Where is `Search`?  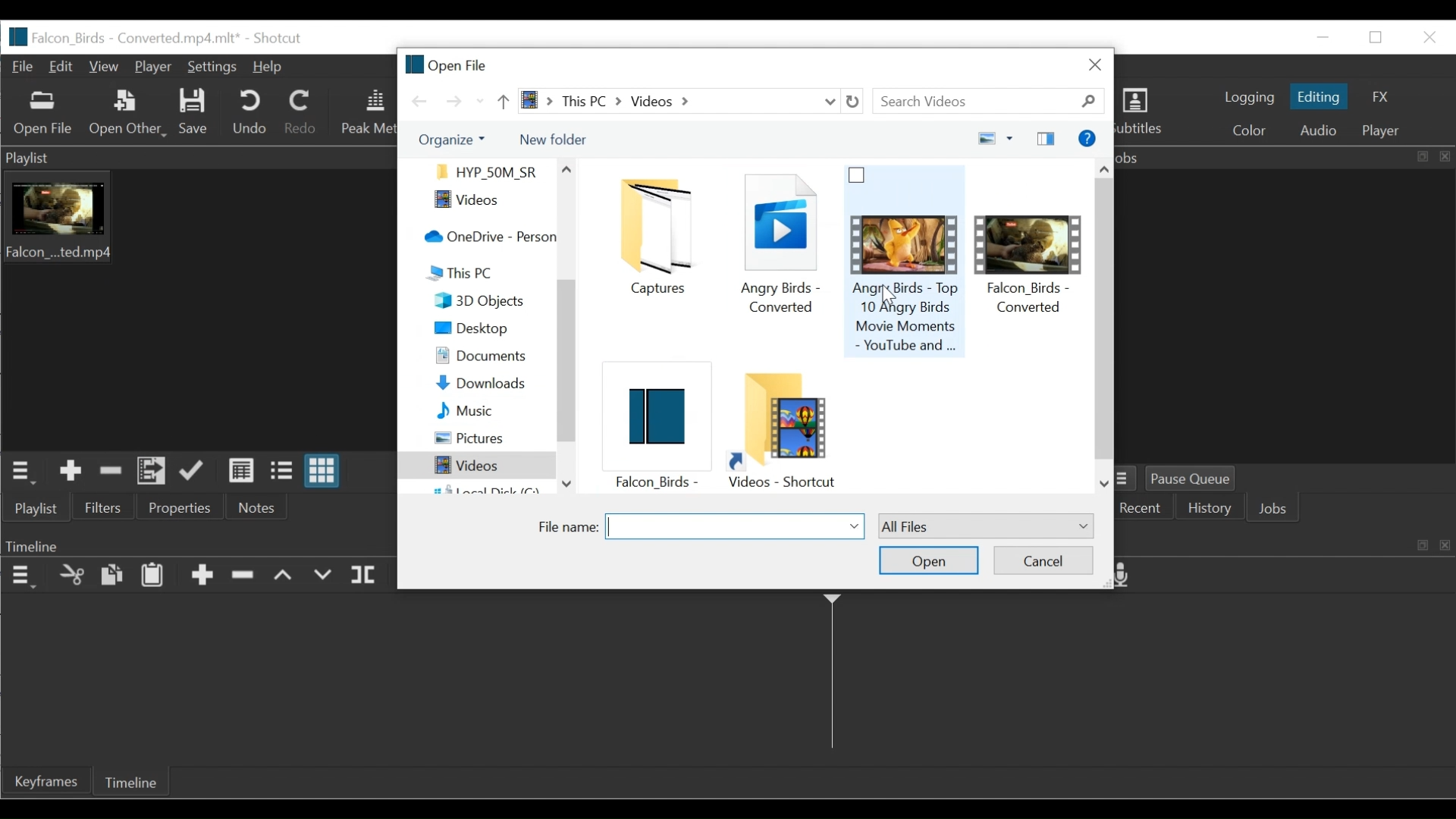
Search is located at coordinates (993, 102).